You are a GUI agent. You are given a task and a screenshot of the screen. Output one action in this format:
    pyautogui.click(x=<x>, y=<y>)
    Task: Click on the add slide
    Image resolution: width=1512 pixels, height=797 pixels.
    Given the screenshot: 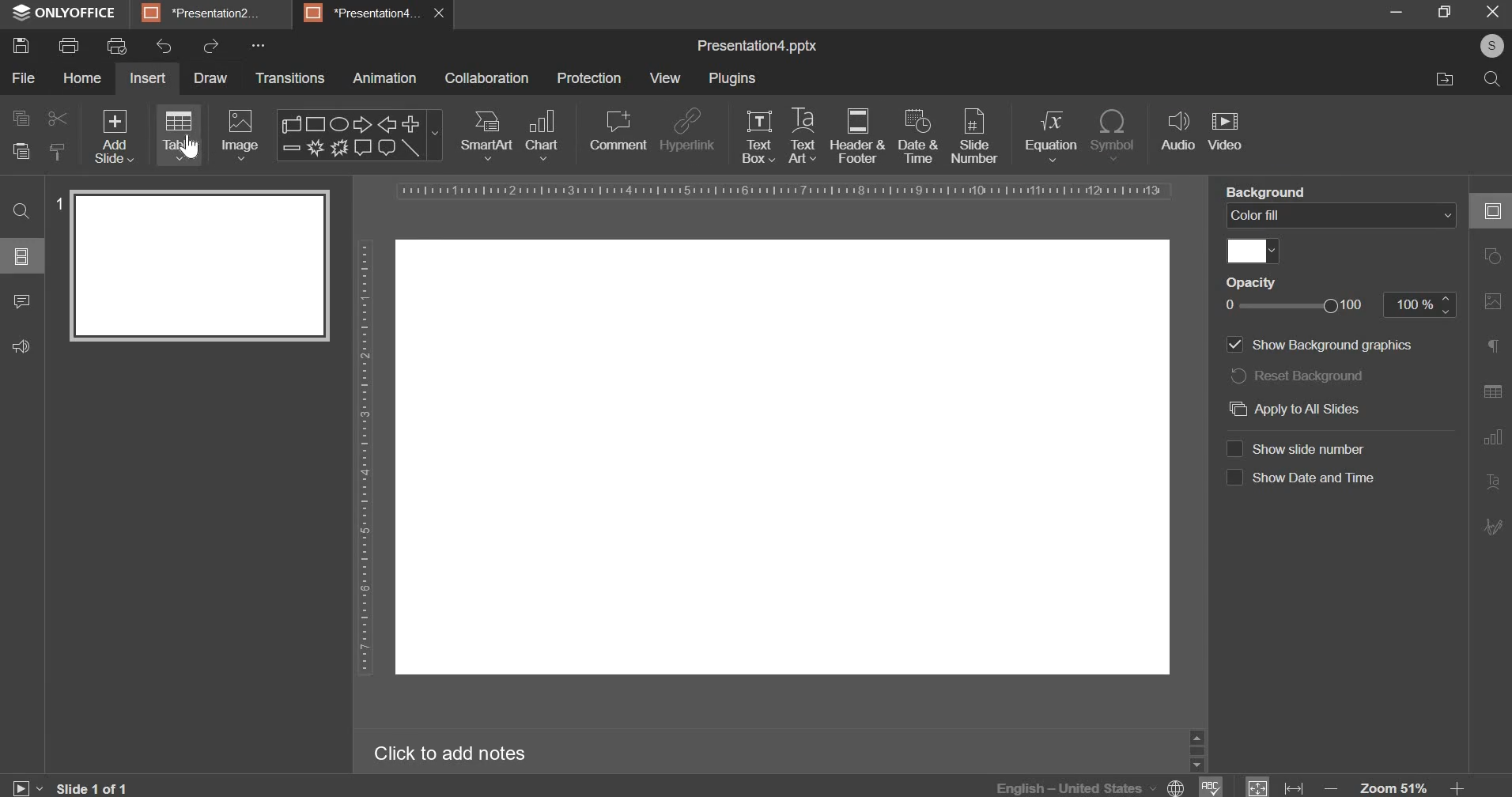 What is the action you would take?
    pyautogui.click(x=114, y=136)
    